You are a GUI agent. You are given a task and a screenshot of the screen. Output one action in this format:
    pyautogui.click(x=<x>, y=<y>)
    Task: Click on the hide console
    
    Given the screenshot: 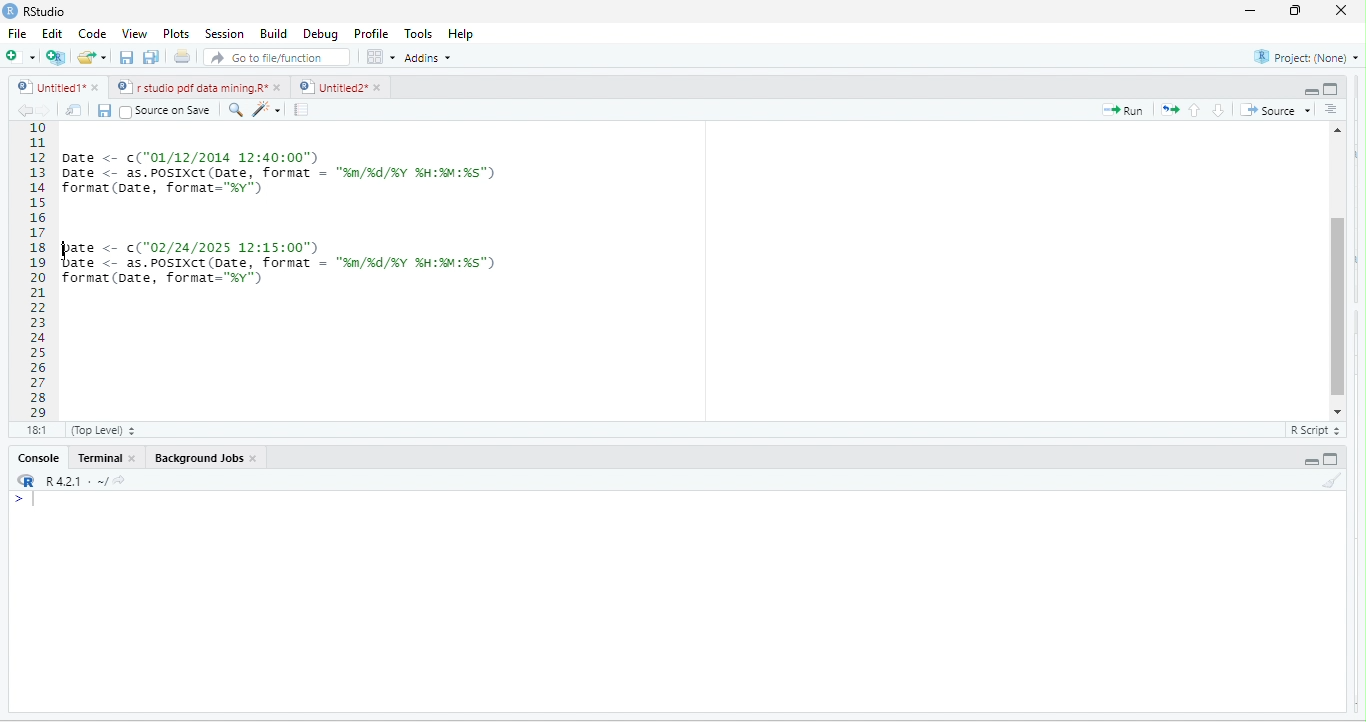 What is the action you would take?
    pyautogui.click(x=1334, y=89)
    